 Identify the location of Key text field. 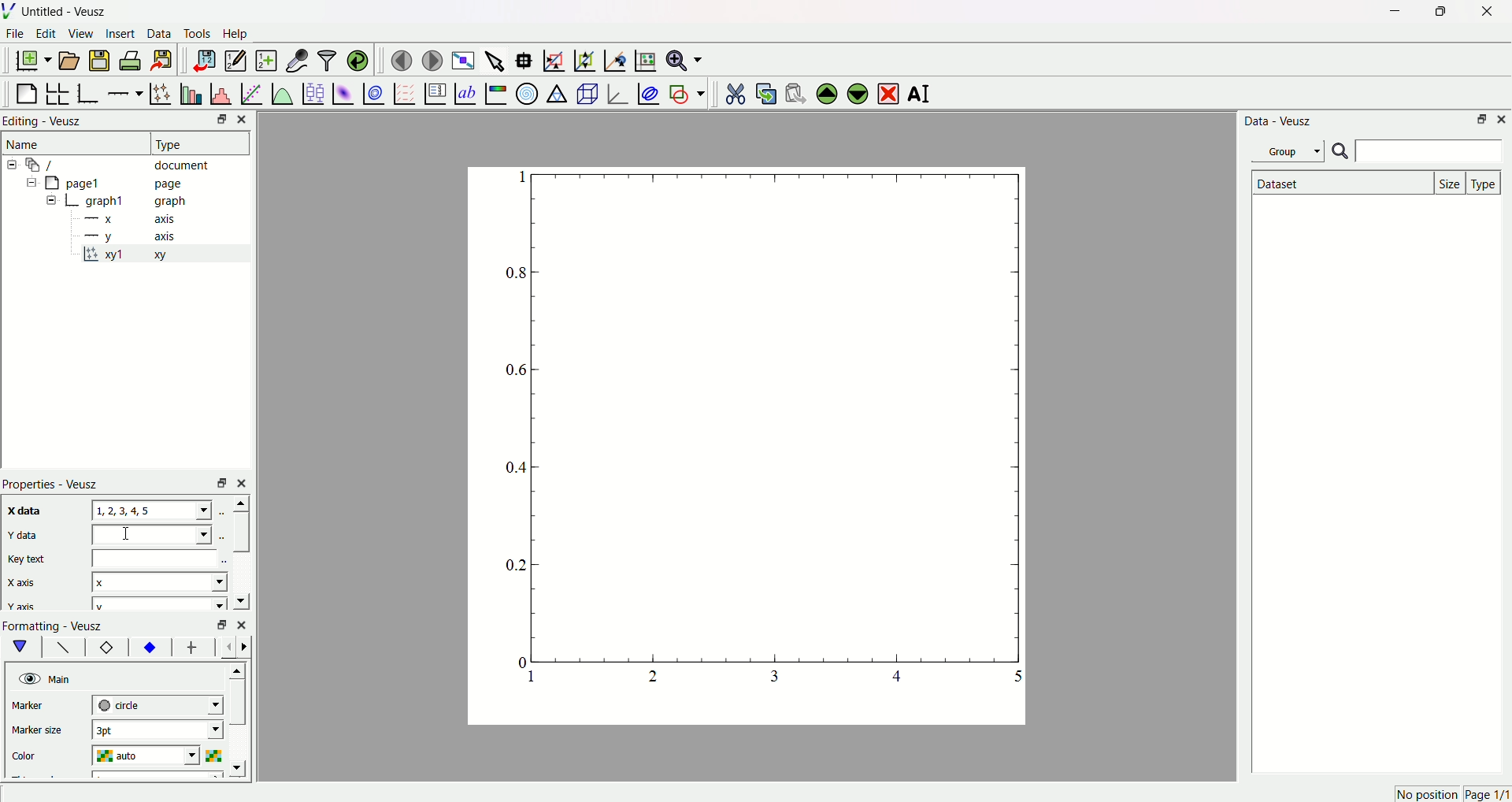
(157, 558).